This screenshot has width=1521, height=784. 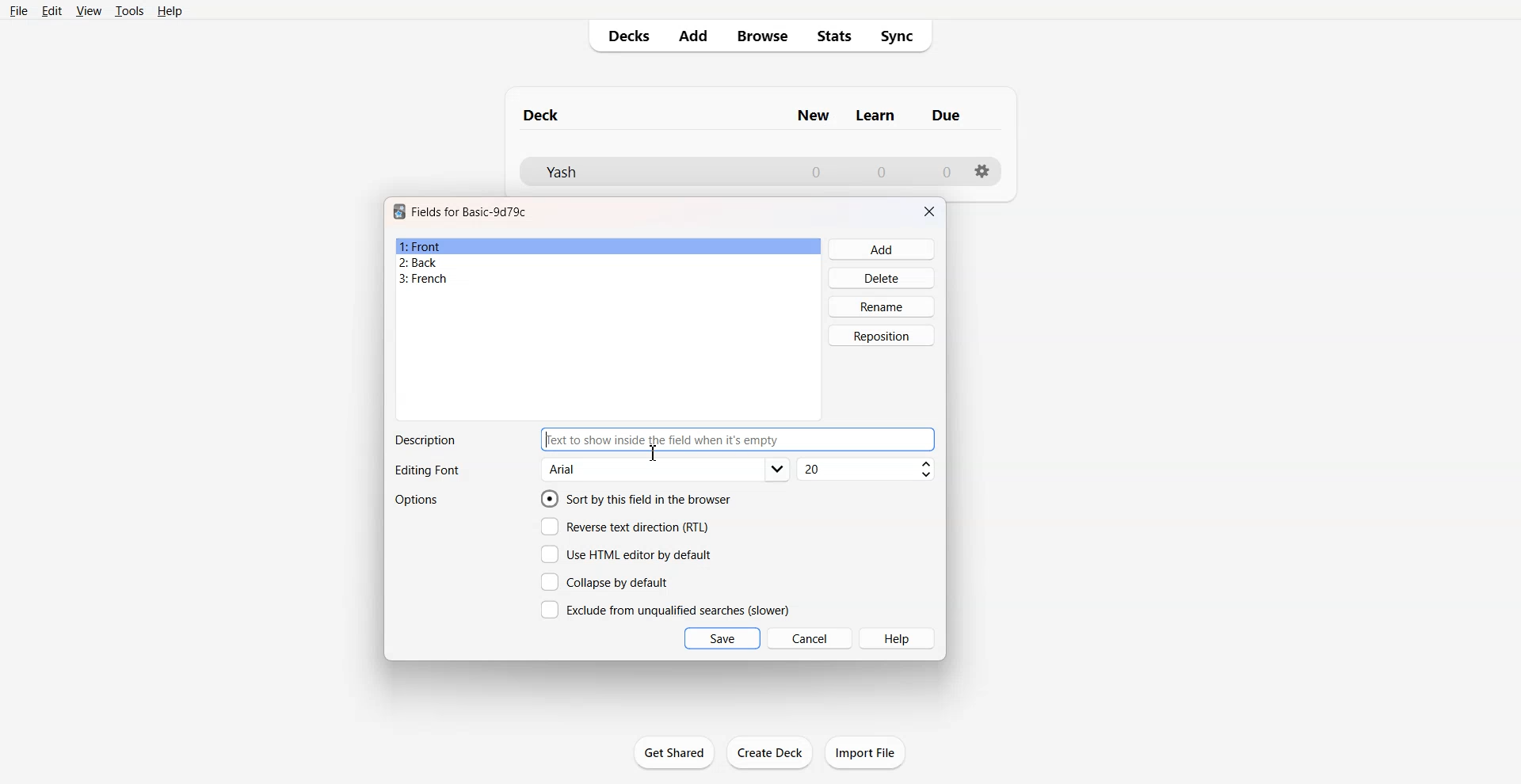 What do you see at coordinates (650, 172) in the screenshot?
I see `Deck File` at bounding box center [650, 172].